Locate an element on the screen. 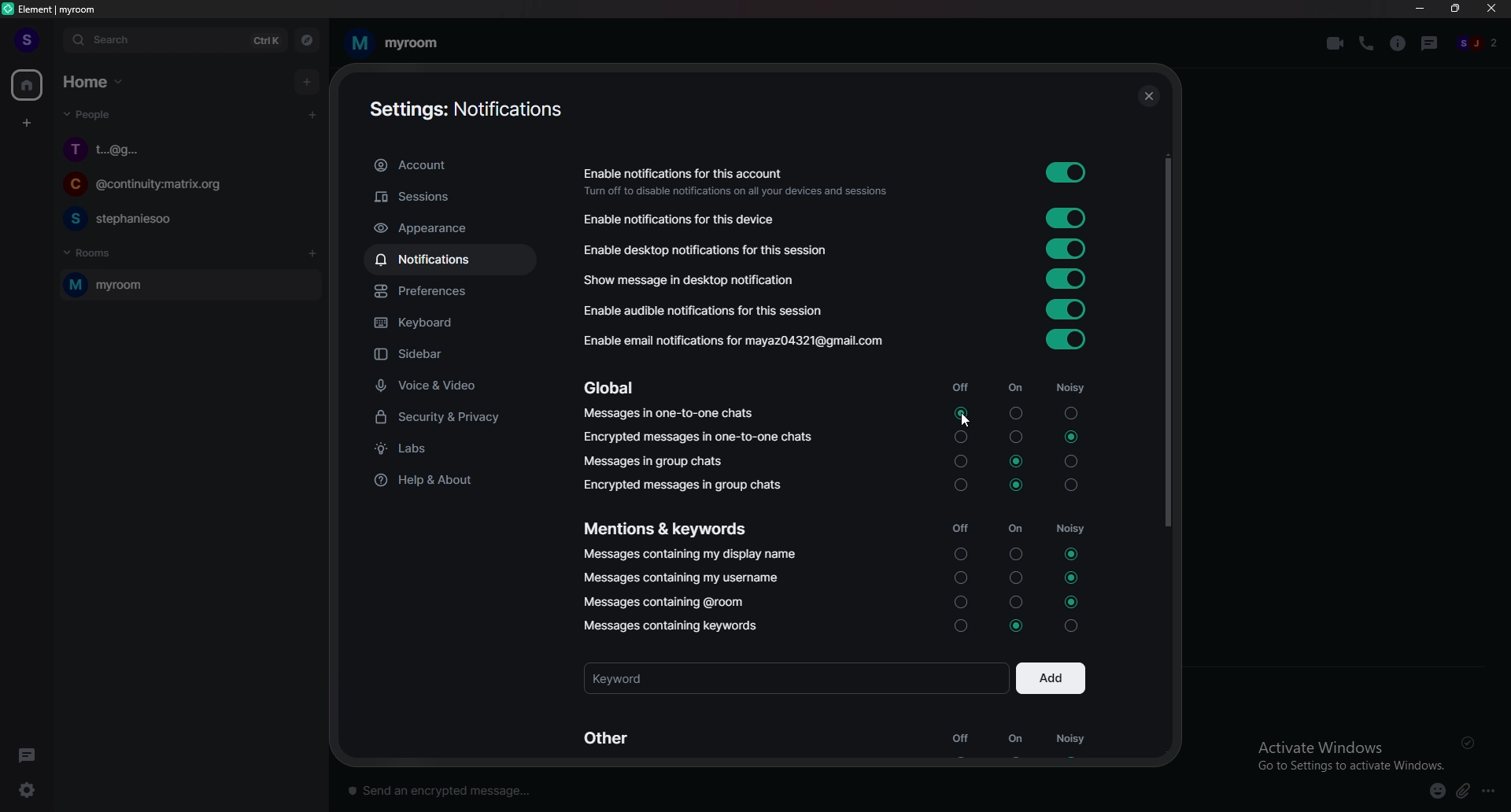 This screenshot has width=1511, height=812. keyword input is located at coordinates (796, 677).